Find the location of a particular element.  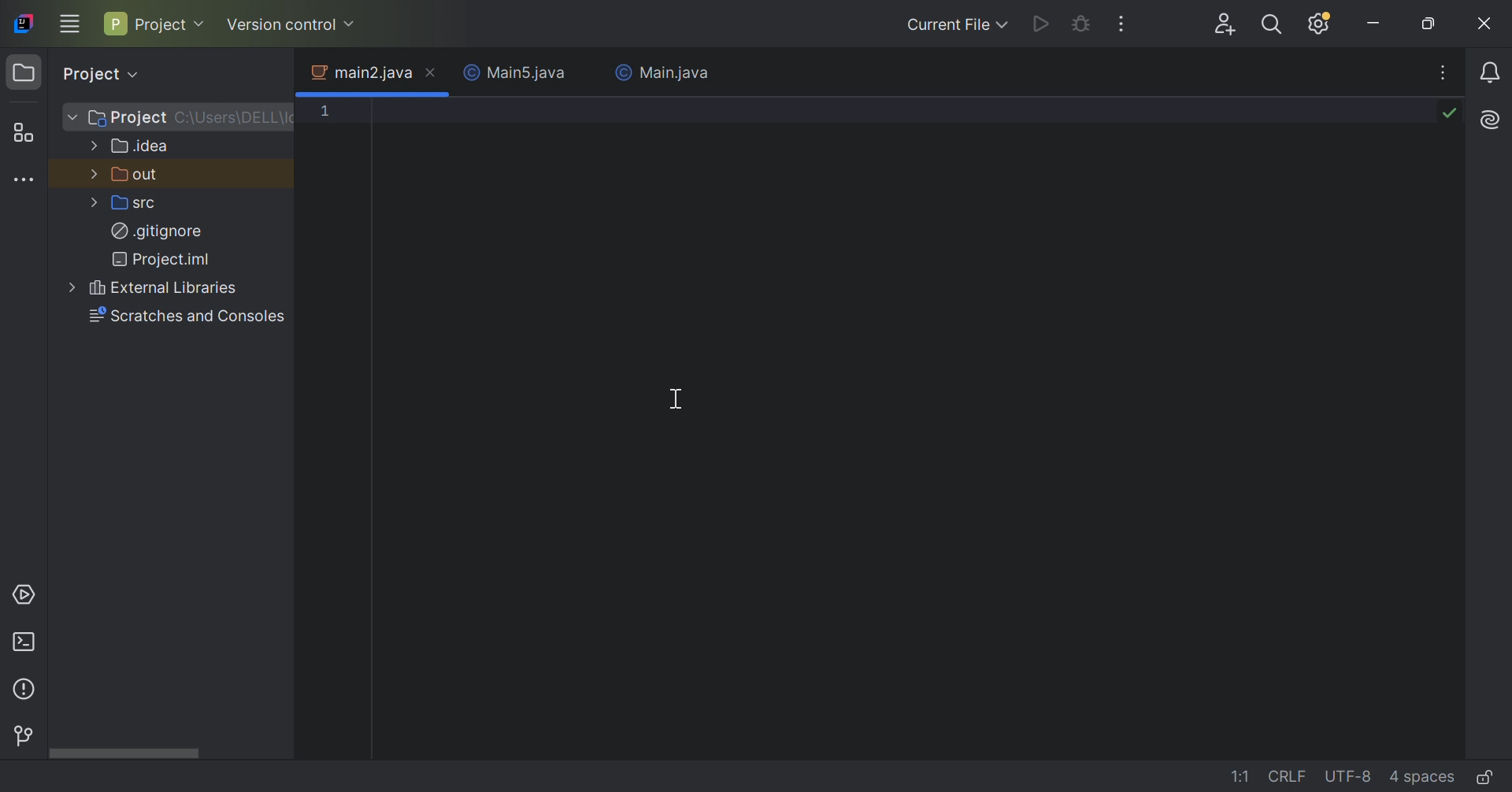

Version control is located at coordinates (293, 25).